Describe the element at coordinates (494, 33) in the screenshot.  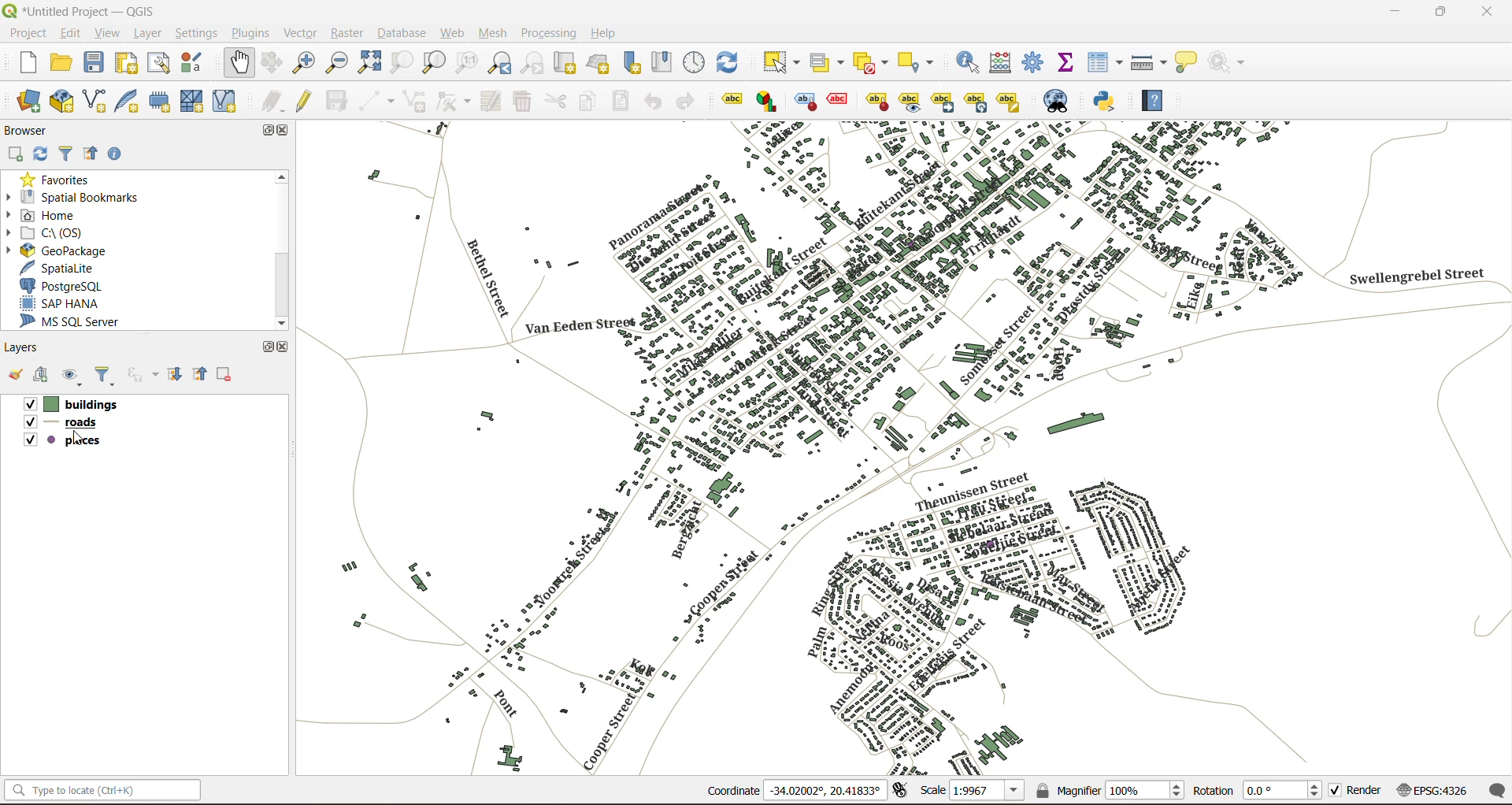
I see `mesh` at that location.